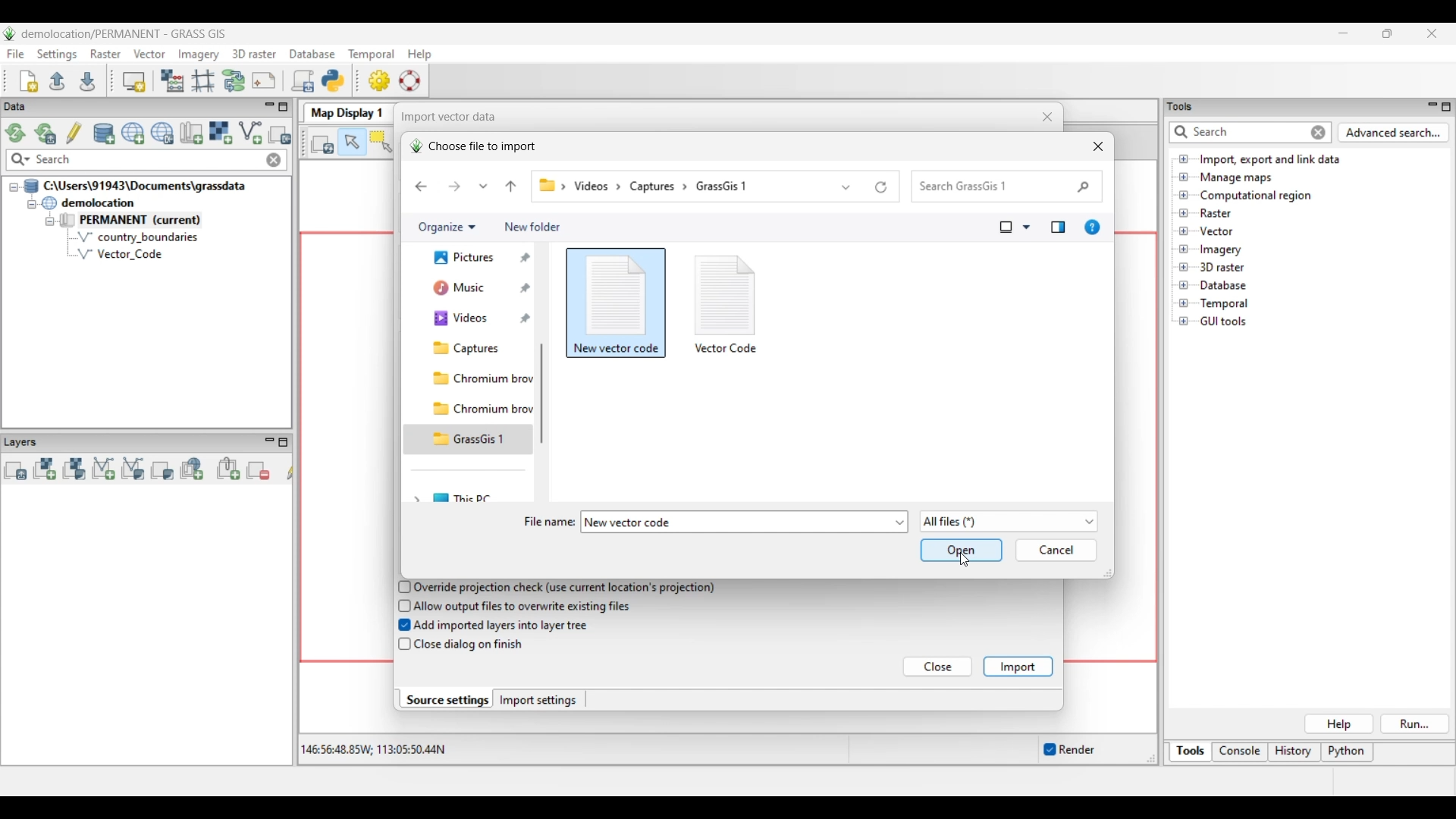 The width and height of the screenshot is (1456, 819). Describe the element at coordinates (1256, 196) in the screenshot. I see `Double click to see files under Computational region` at that location.